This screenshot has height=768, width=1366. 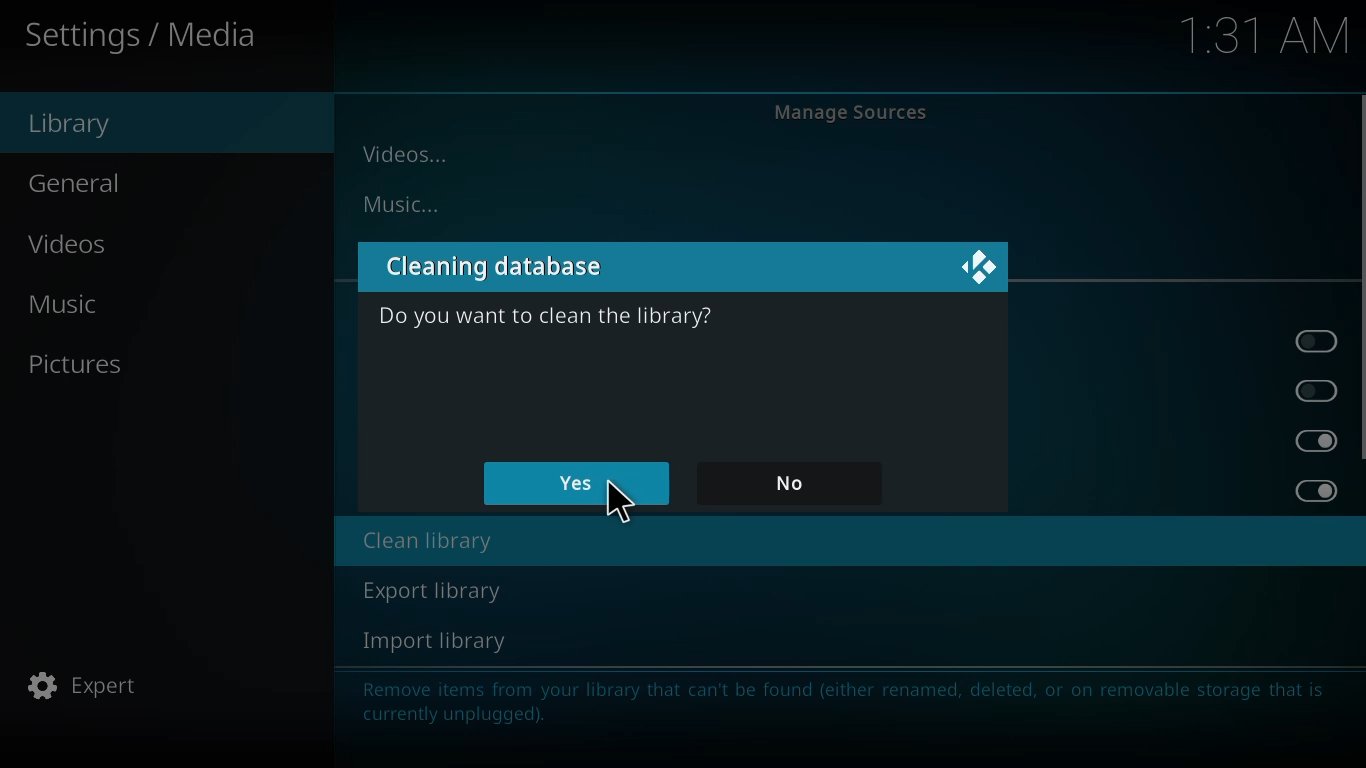 What do you see at coordinates (1318, 388) in the screenshot?
I see `enable` at bounding box center [1318, 388].